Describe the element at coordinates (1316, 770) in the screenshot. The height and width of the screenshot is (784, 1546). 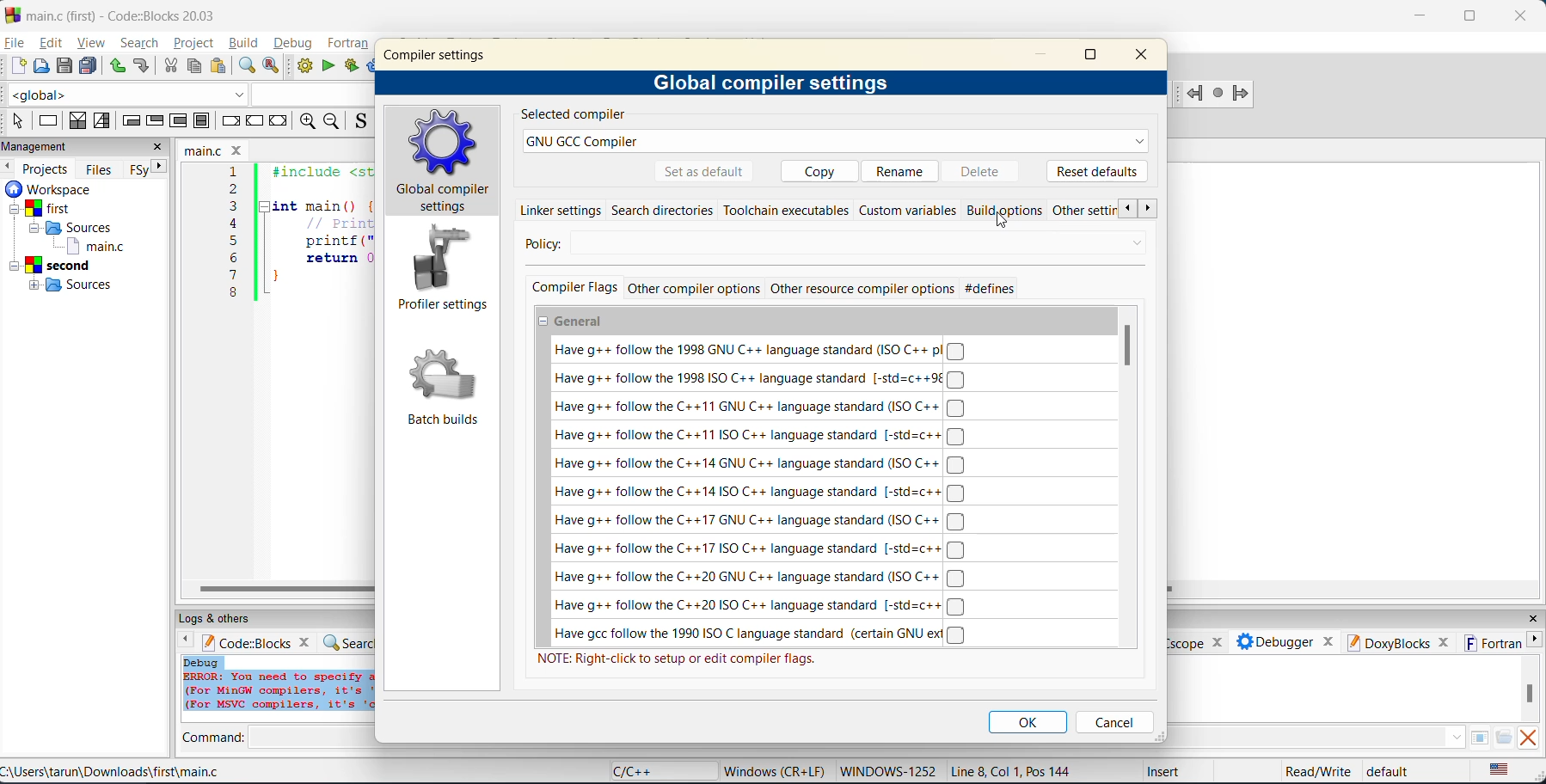
I see `Read/Write` at that location.